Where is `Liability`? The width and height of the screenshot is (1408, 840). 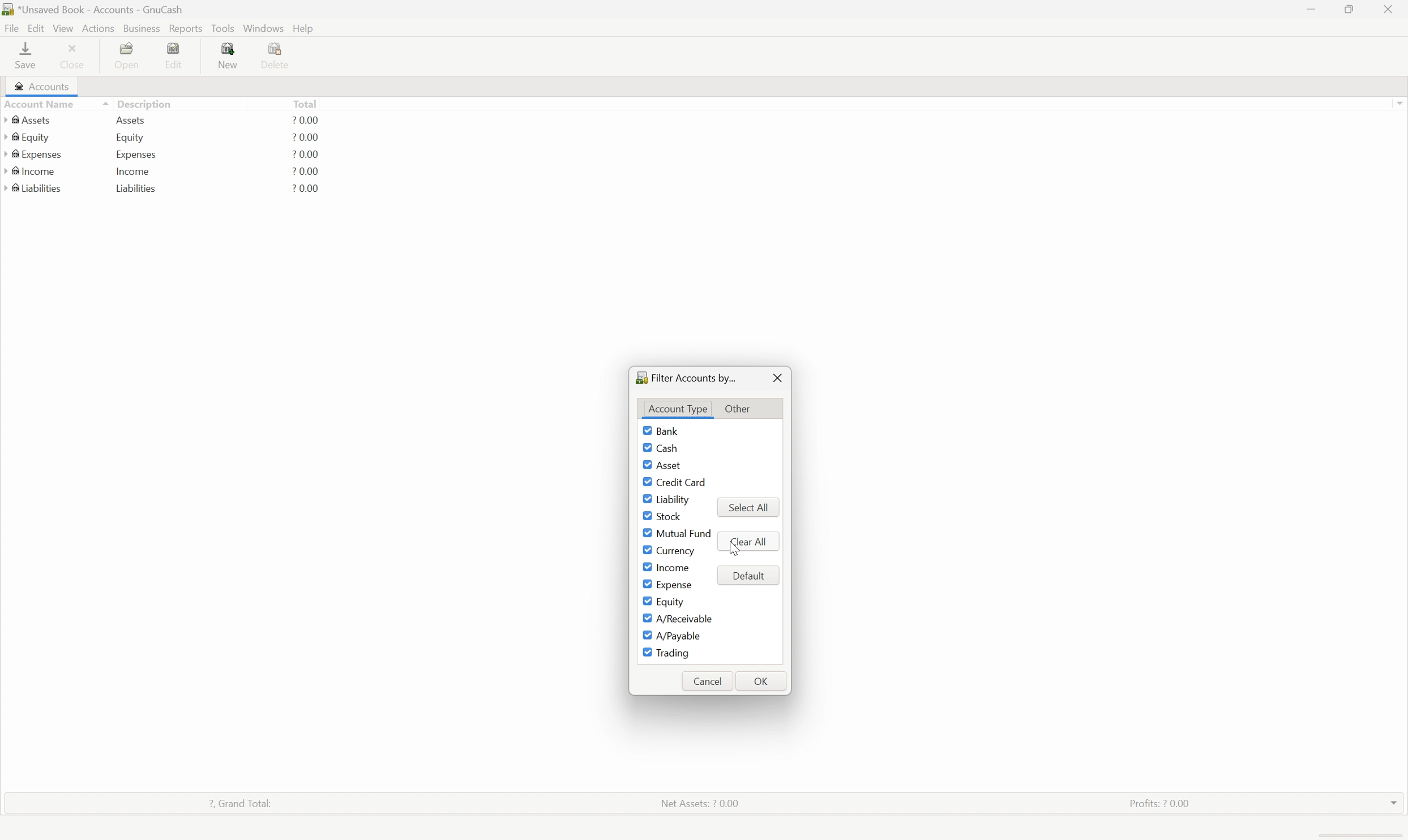 Liability is located at coordinates (673, 500).